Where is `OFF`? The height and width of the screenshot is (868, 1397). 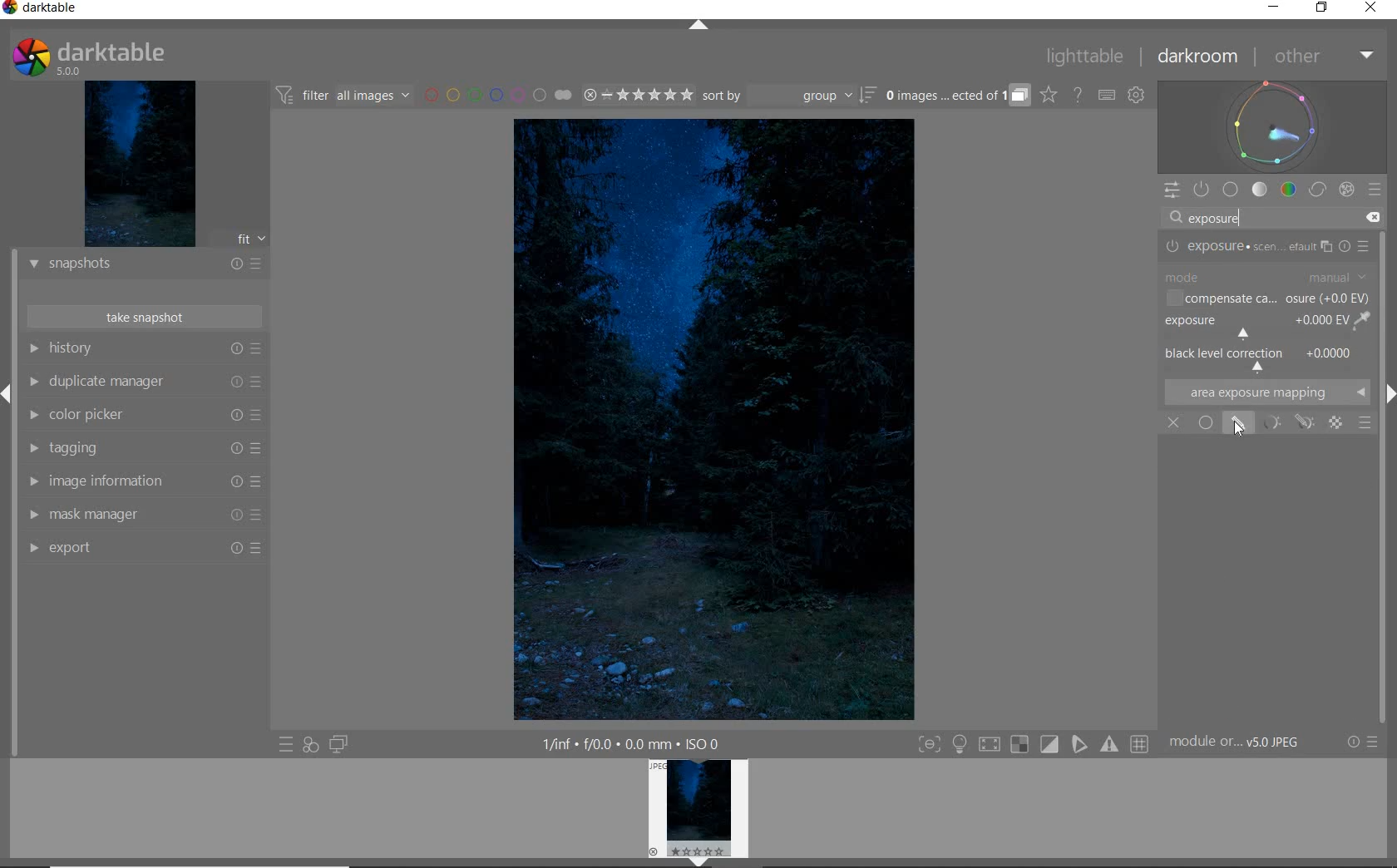
OFF is located at coordinates (1173, 423).